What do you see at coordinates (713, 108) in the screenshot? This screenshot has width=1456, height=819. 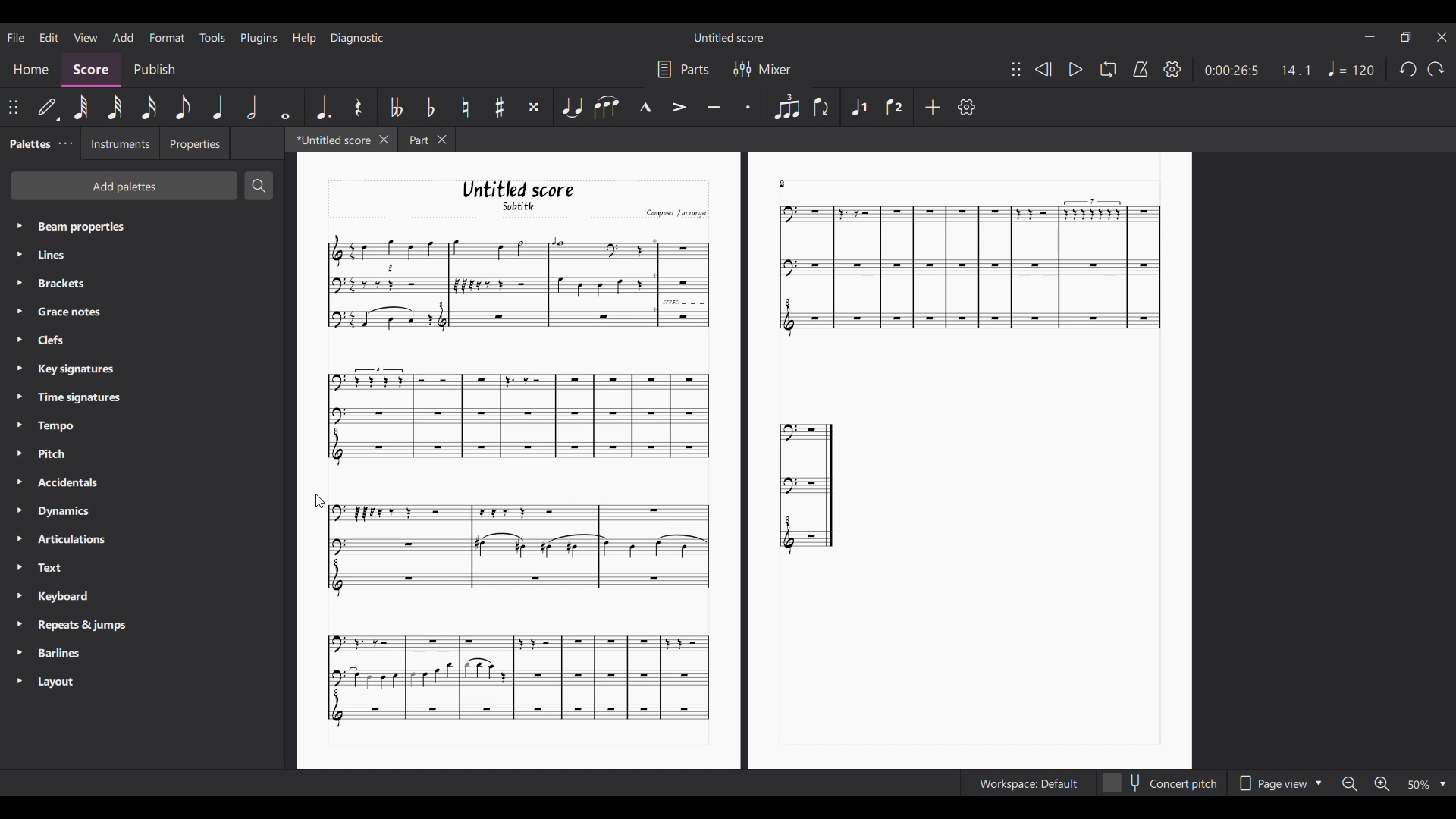 I see `Tenuto` at bounding box center [713, 108].